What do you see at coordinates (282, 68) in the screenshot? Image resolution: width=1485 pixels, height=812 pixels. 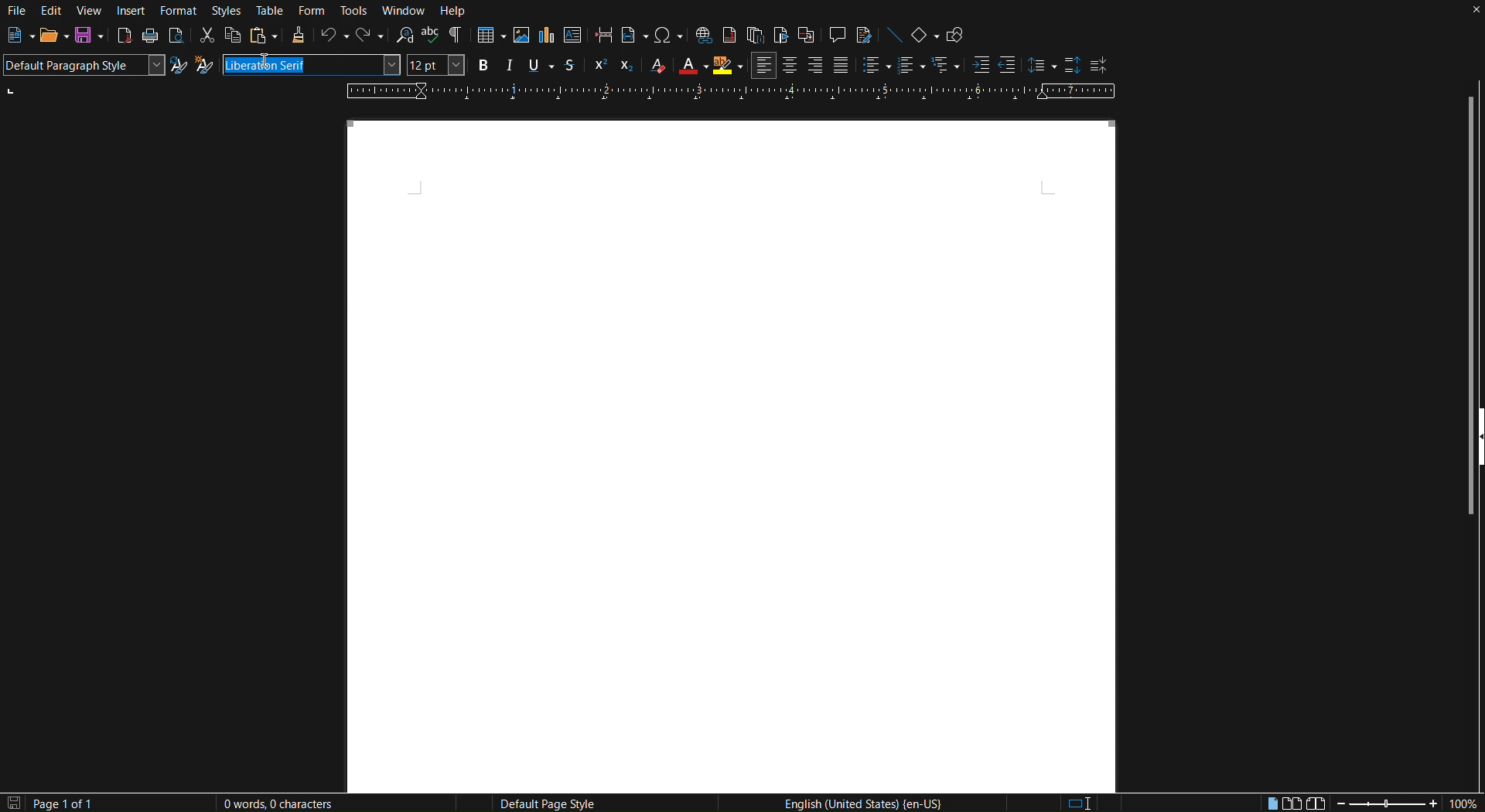 I see `Cursor` at bounding box center [282, 68].